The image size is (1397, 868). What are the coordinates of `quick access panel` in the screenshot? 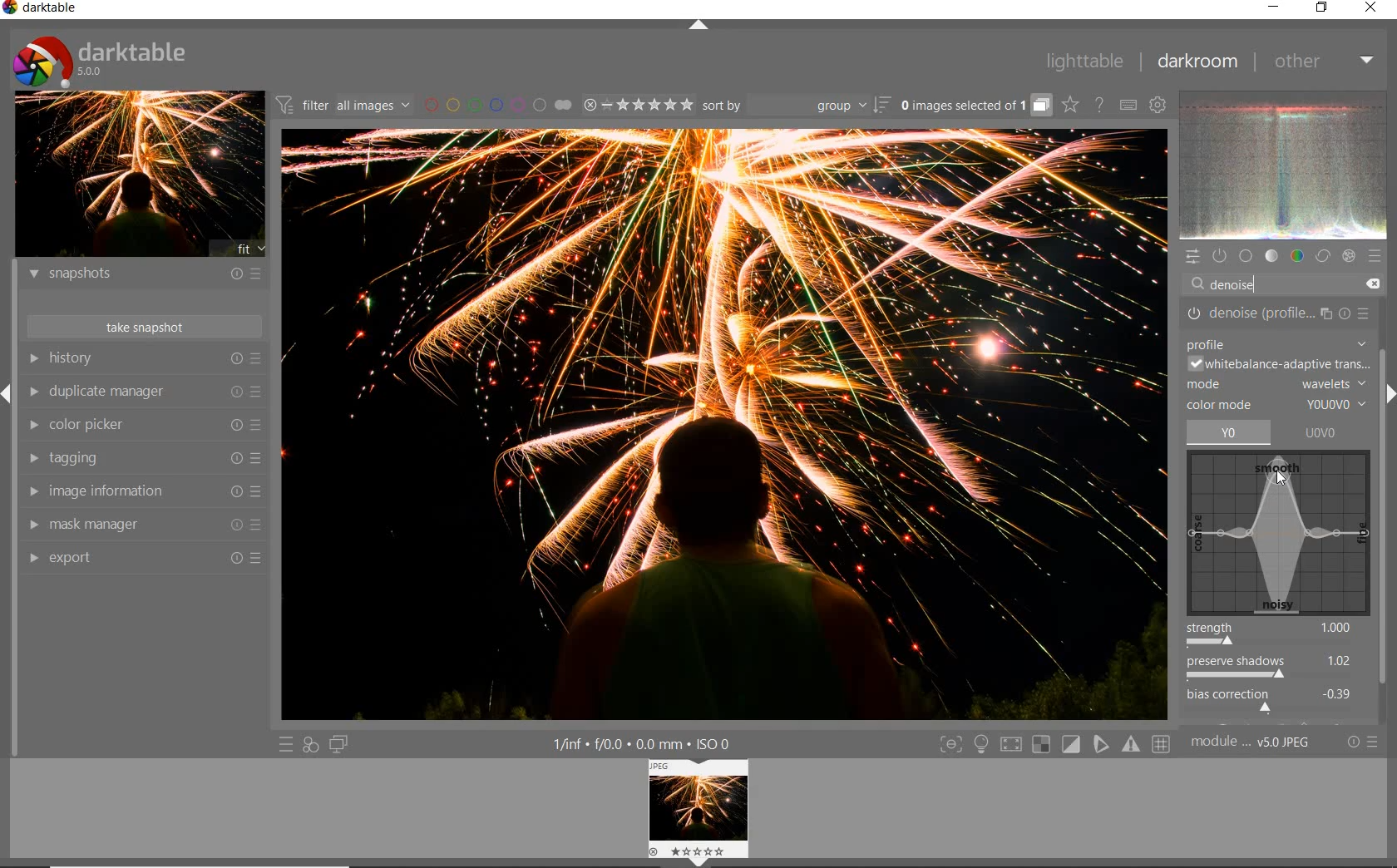 It's located at (1194, 255).